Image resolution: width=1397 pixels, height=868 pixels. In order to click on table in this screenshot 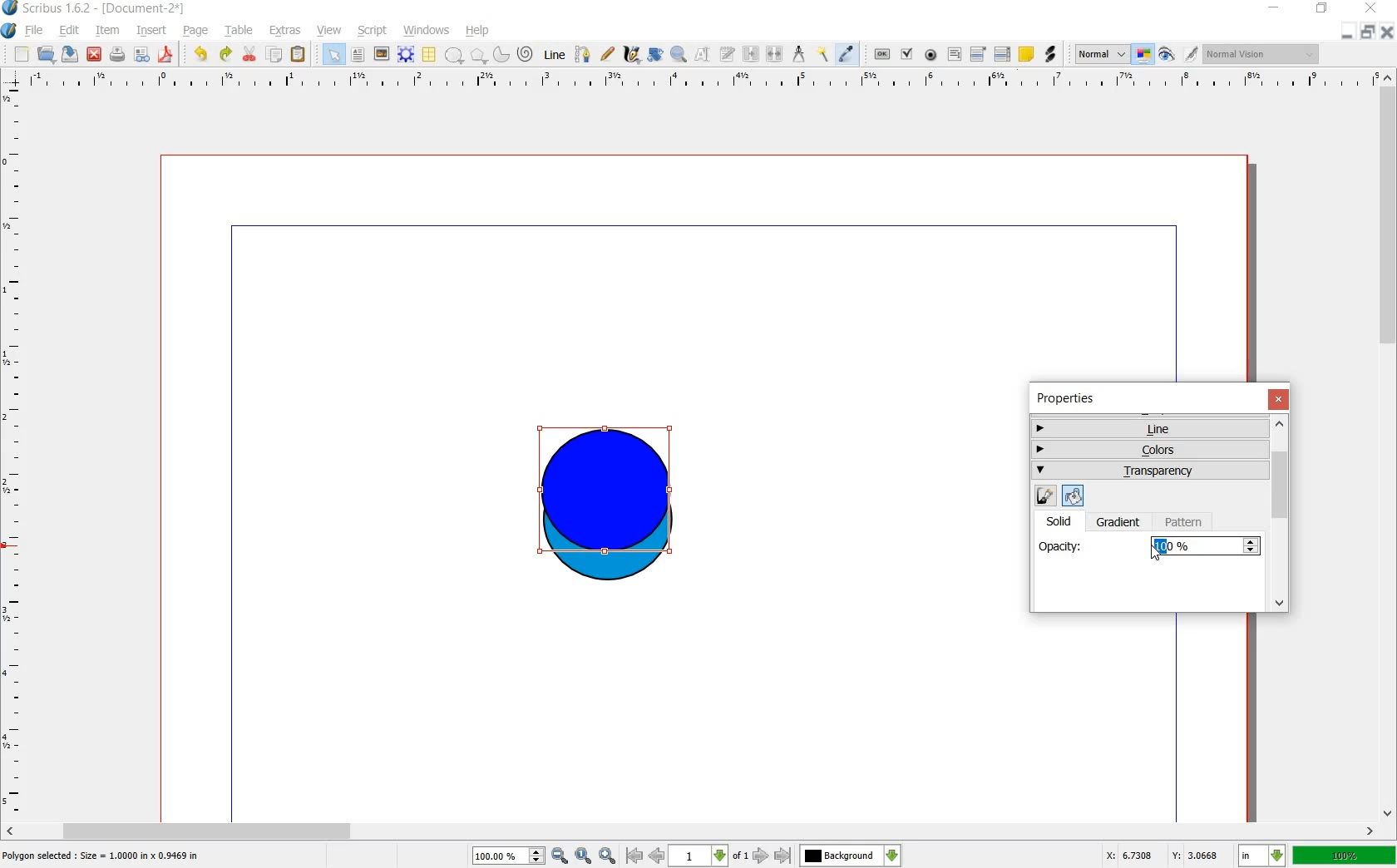, I will do `click(240, 31)`.